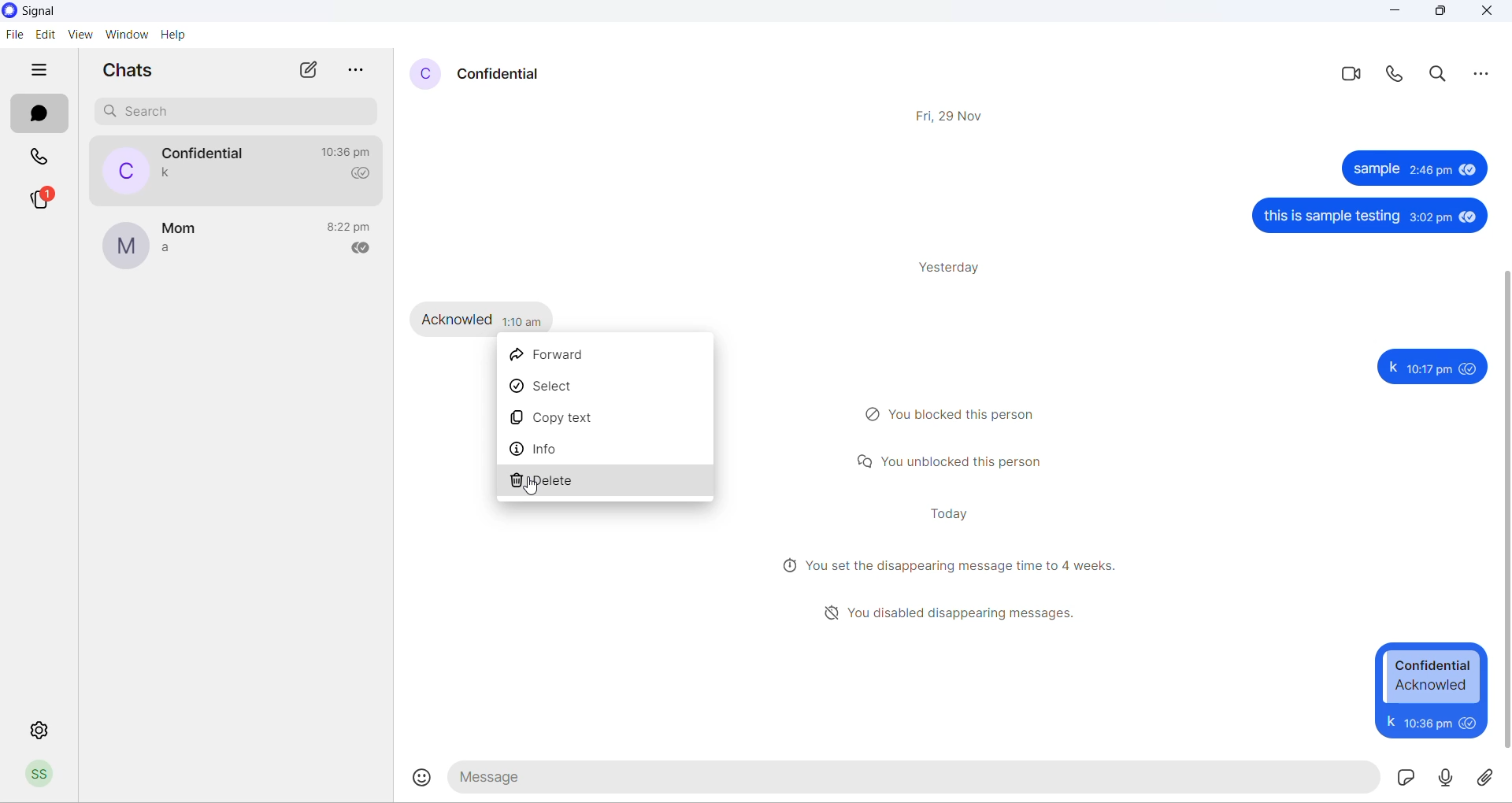  What do you see at coordinates (1471, 368) in the screenshot?
I see `seen` at bounding box center [1471, 368].